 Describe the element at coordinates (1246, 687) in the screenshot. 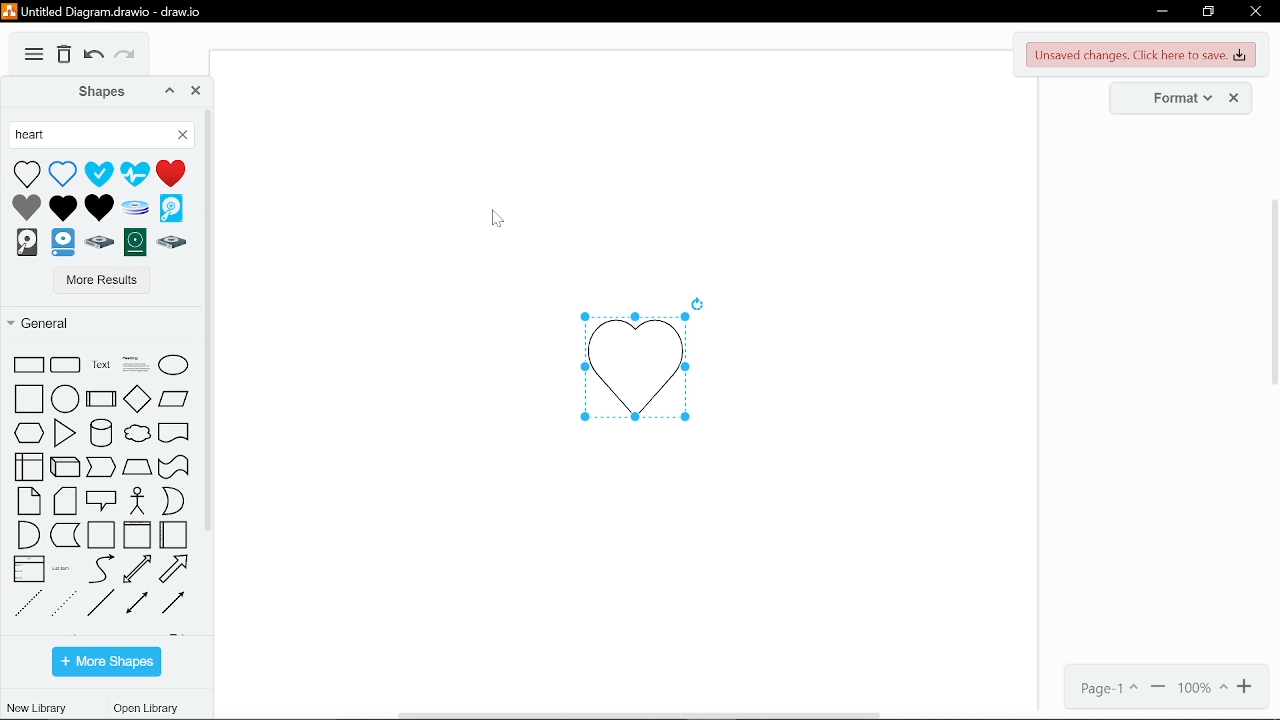

I see `zoom in` at that location.